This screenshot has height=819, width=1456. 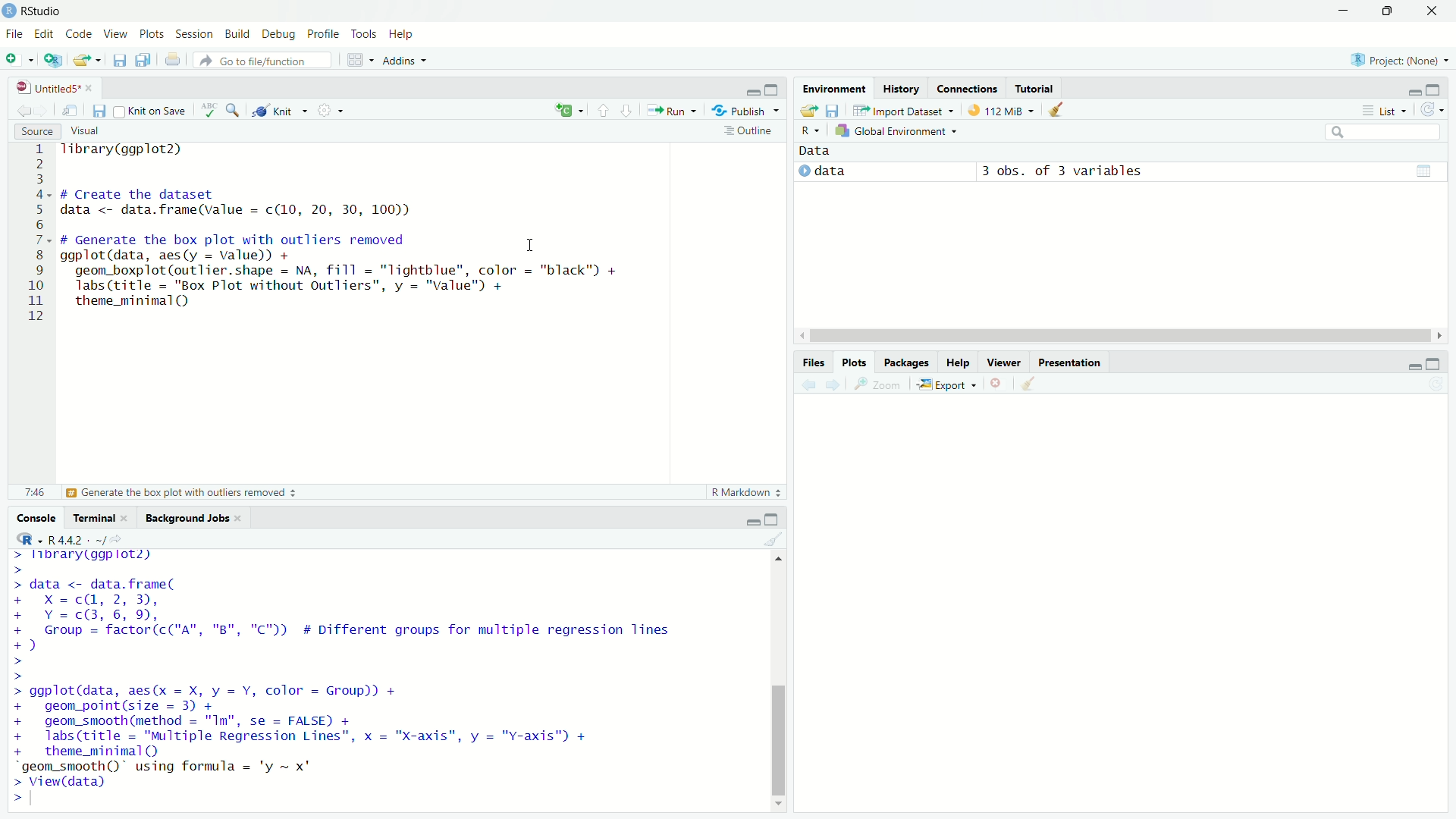 What do you see at coordinates (89, 130) in the screenshot?
I see `Visual` at bounding box center [89, 130].